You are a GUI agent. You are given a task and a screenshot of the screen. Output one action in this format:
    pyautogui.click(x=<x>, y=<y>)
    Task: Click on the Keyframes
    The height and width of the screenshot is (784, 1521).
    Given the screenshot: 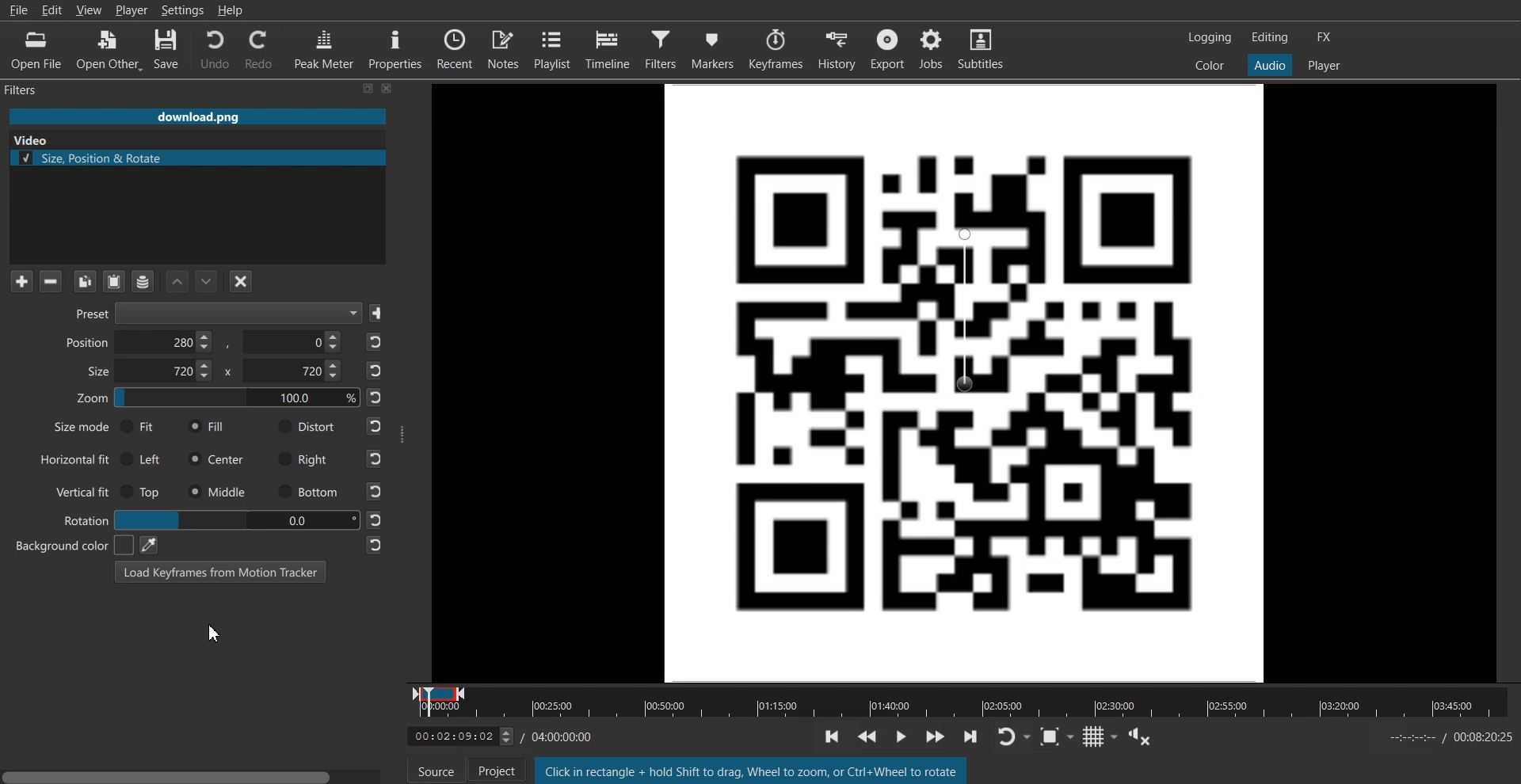 What is the action you would take?
    pyautogui.click(x=777, y=48)
    